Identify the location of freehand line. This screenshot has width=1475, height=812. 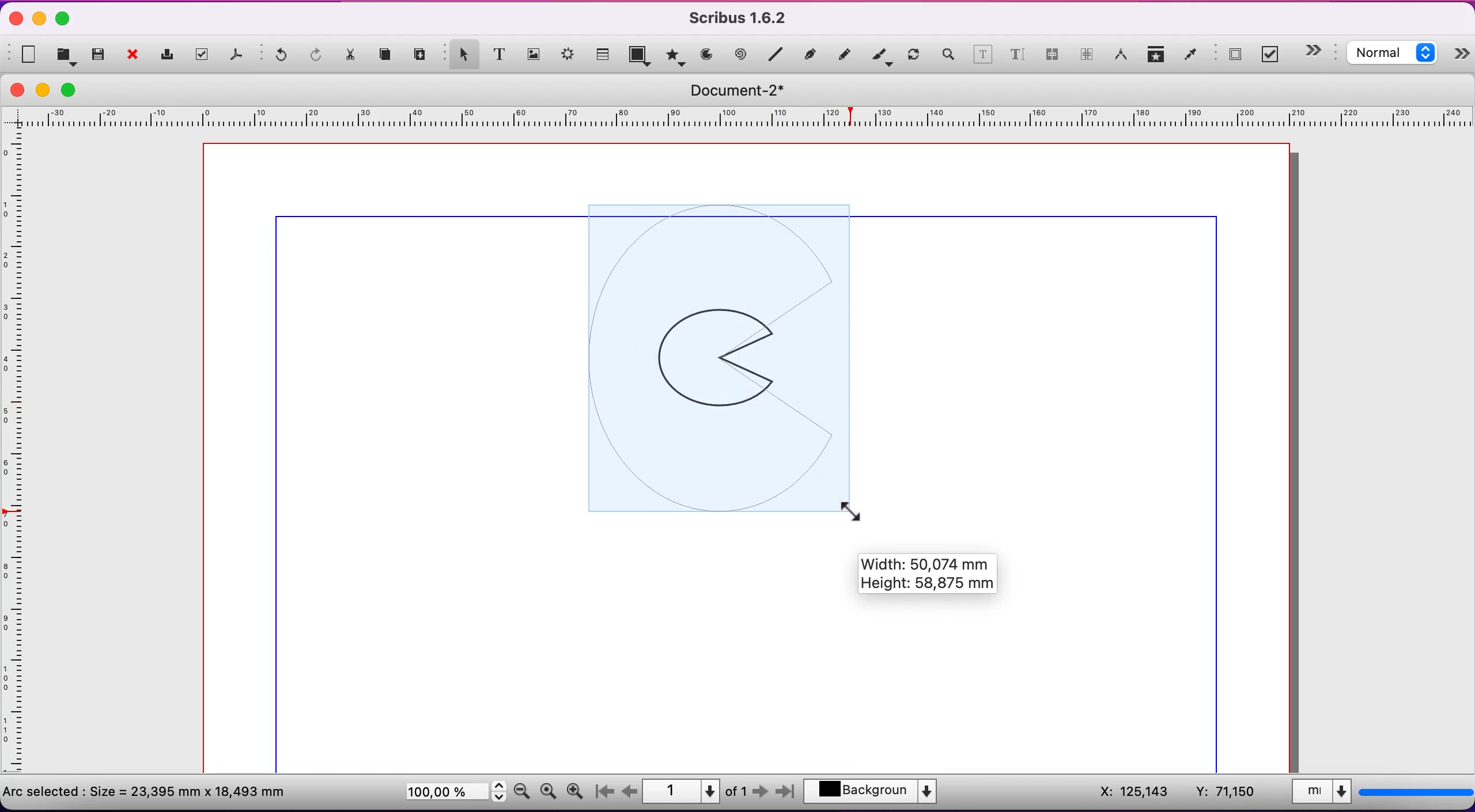
(845, 54).